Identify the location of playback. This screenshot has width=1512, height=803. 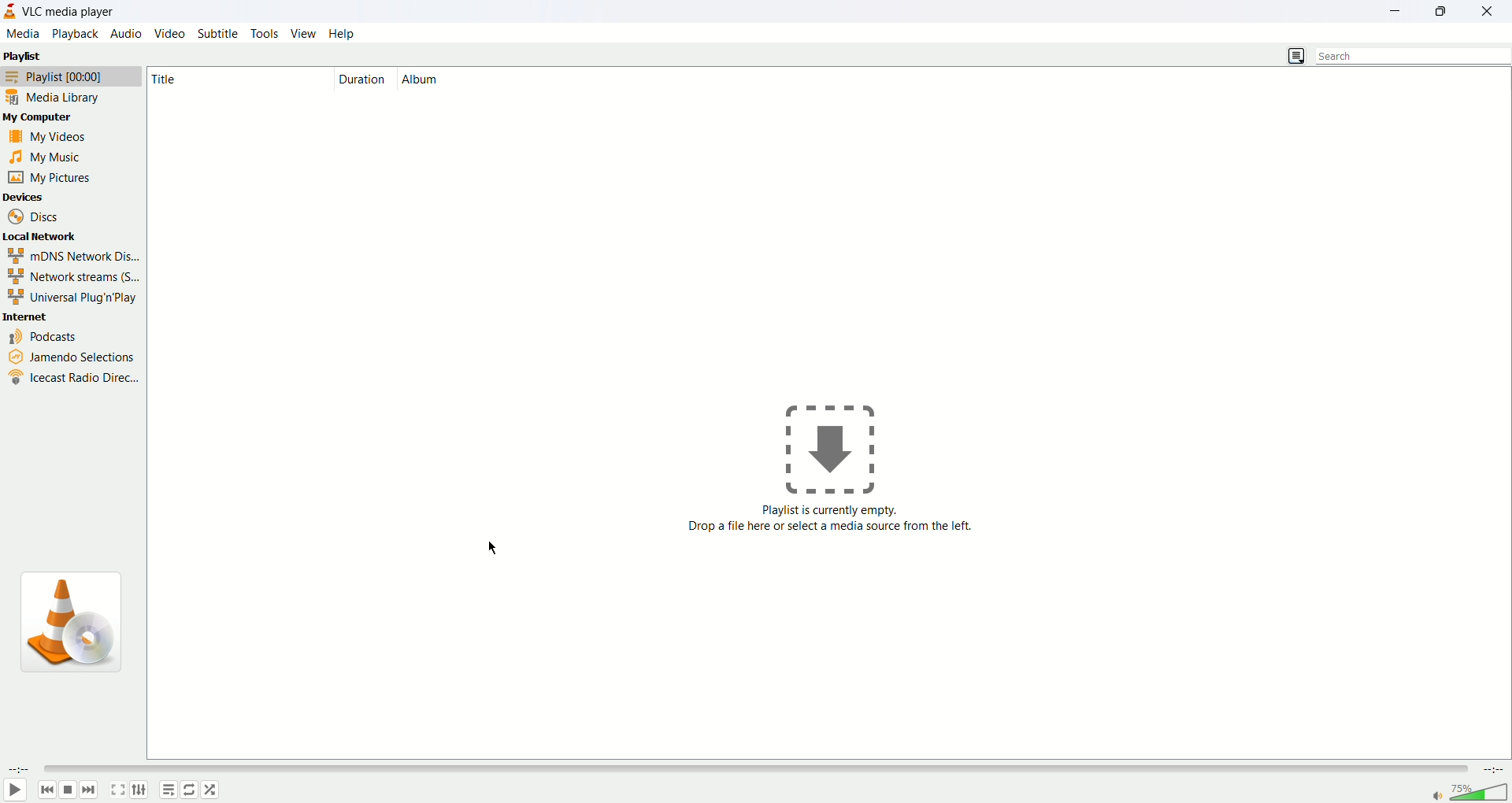
(76, 35).